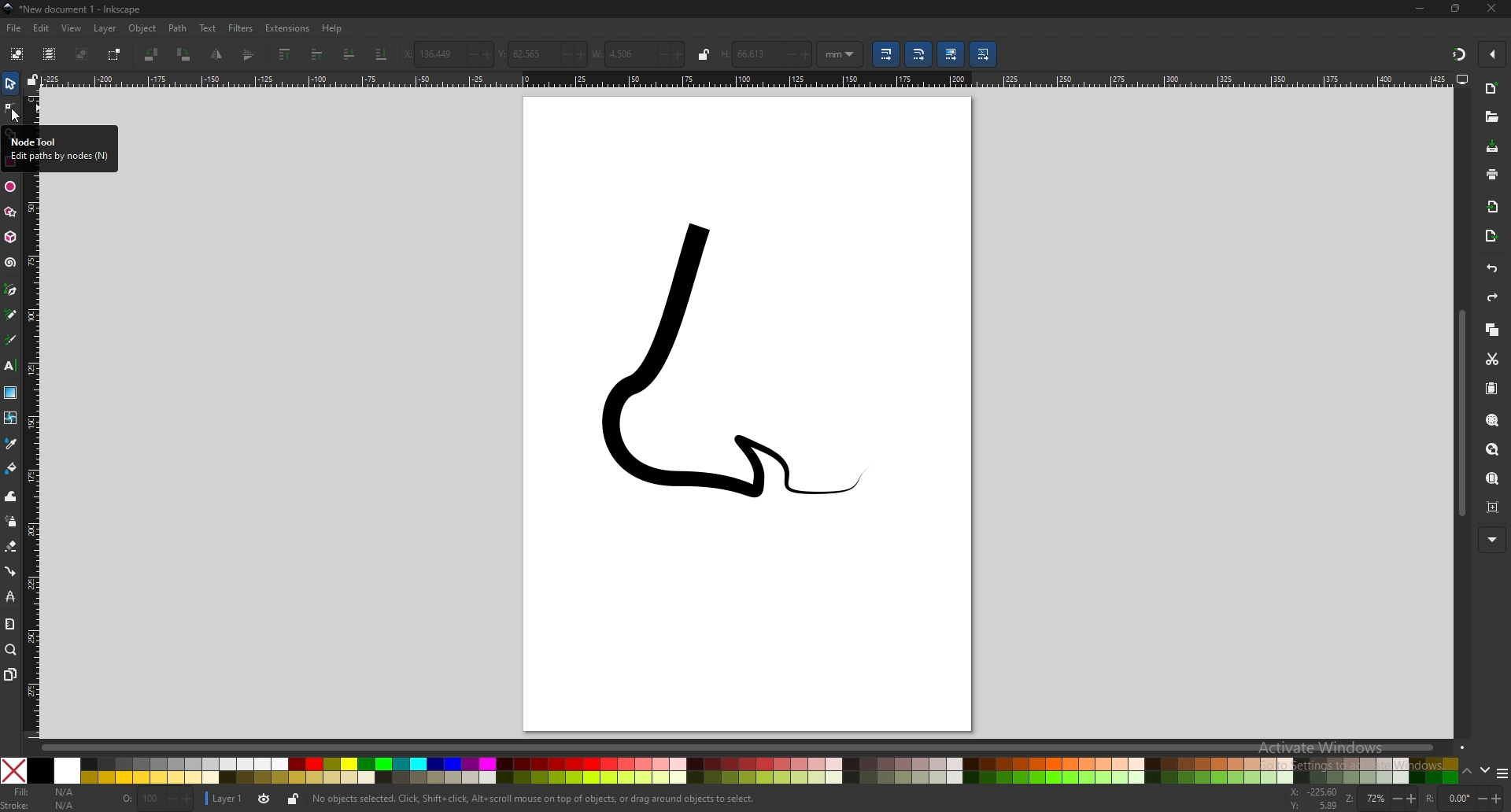 Image resolution: width=1511 pixels, height=812 pixels. I want to click on enable snapping, so click(1494, 54).